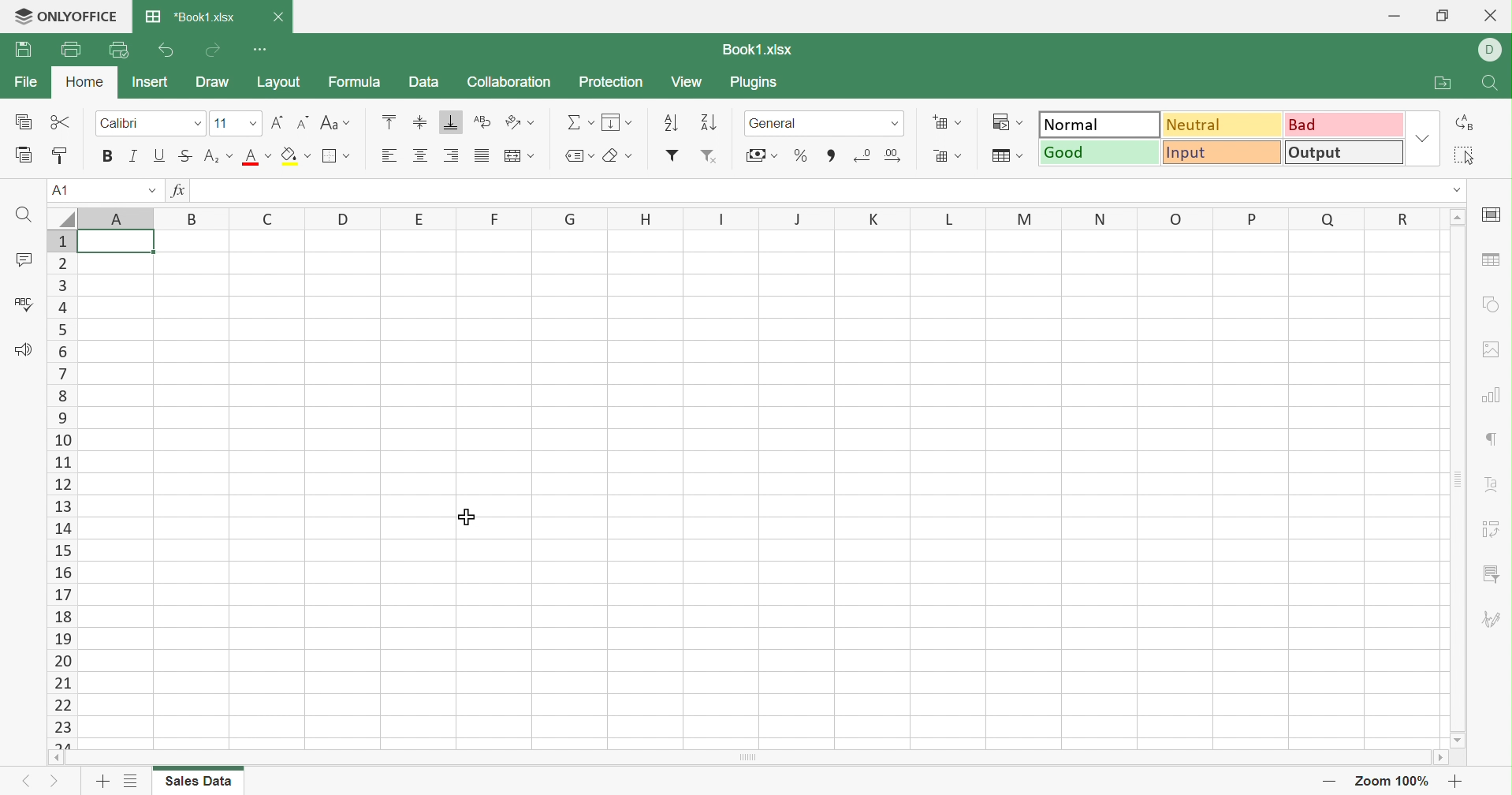  What do you see at coordinates (280, 15) in the screenshot?
I see `close` at bounding box center [280, 15].